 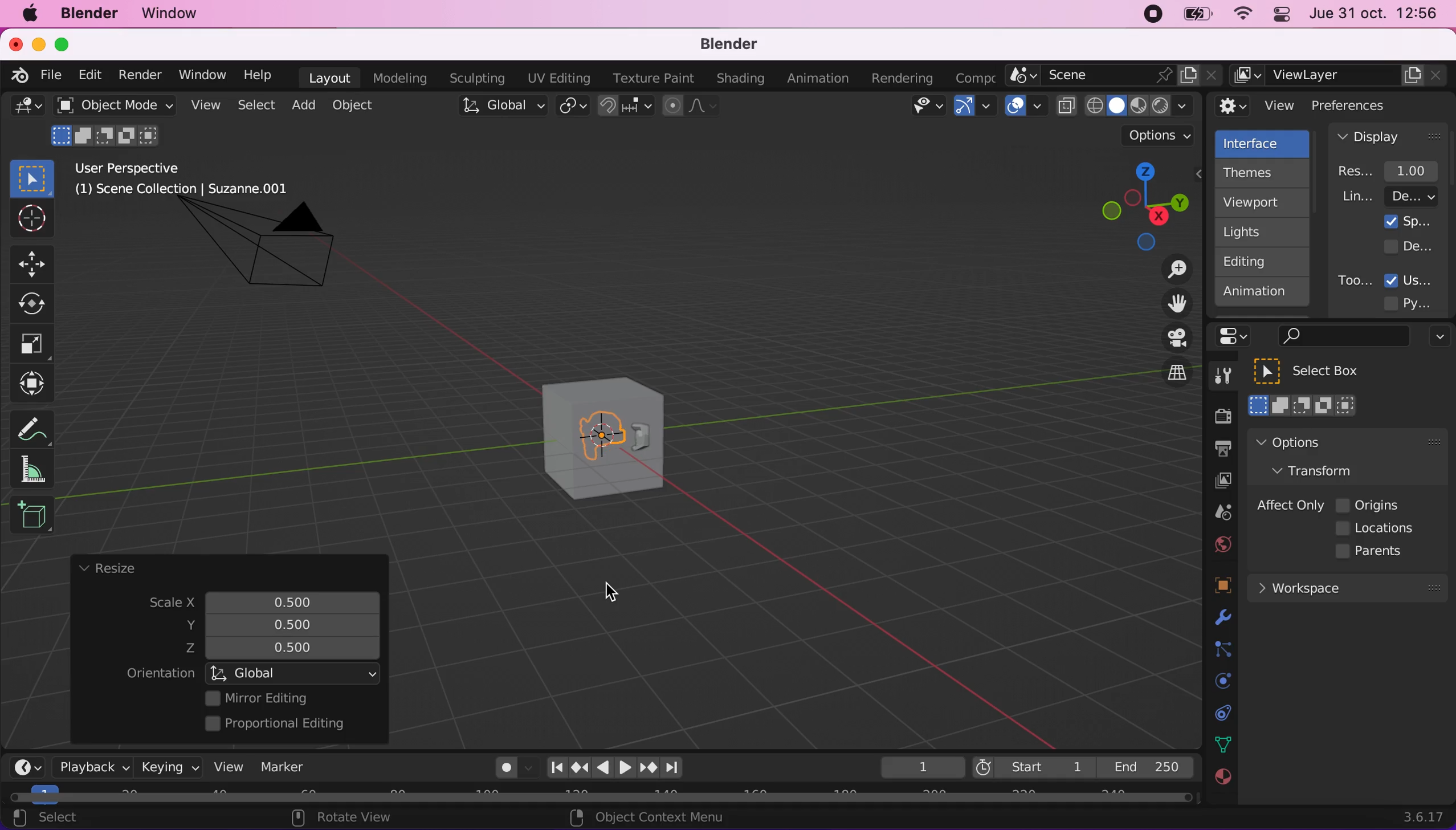 I want to click on toggle the camera view, so click(x=1169, y=339).